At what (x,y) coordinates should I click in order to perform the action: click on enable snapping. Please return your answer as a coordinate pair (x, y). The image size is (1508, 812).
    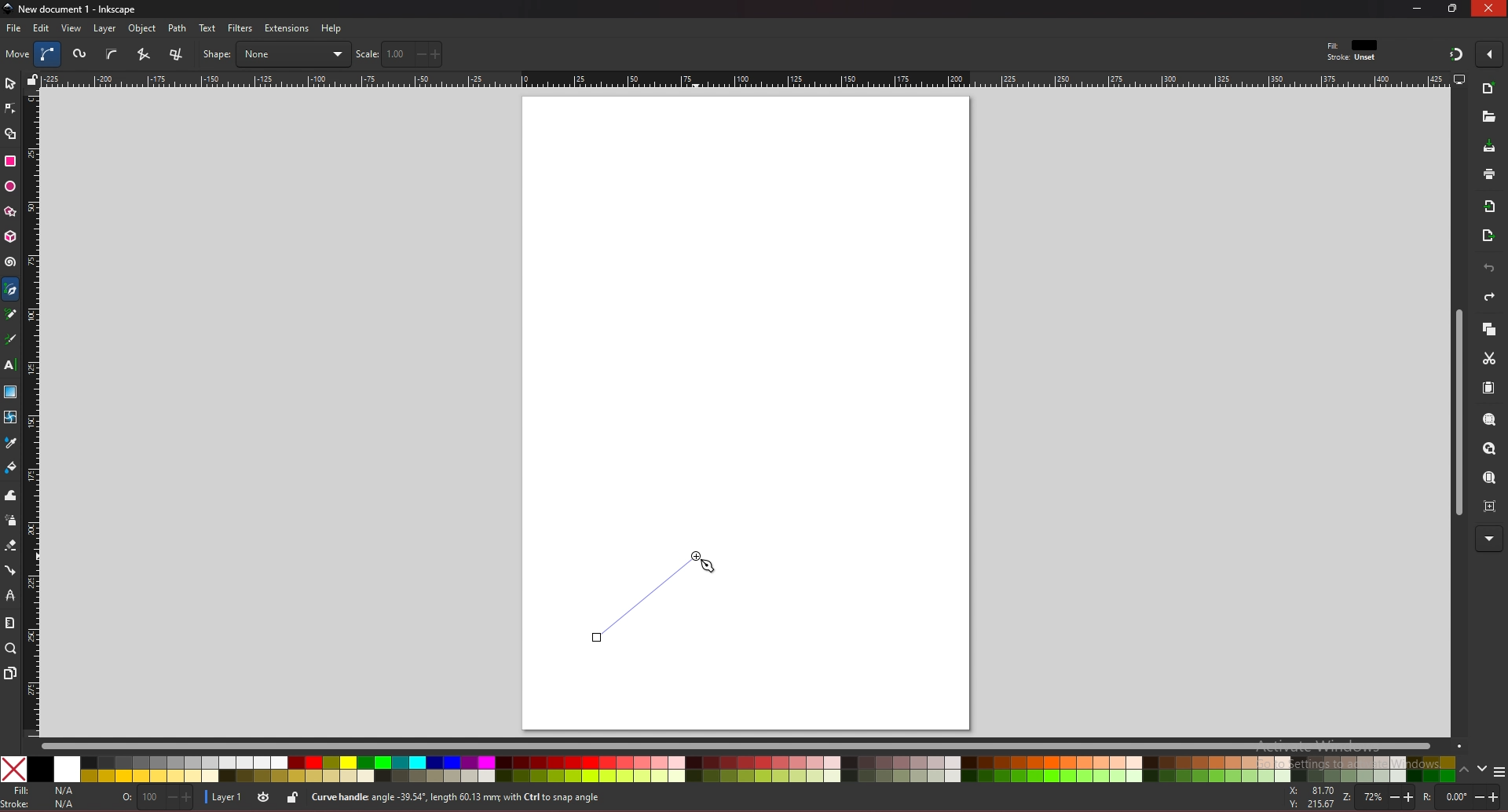
    Looking at the image, I should click on (1489, 53).